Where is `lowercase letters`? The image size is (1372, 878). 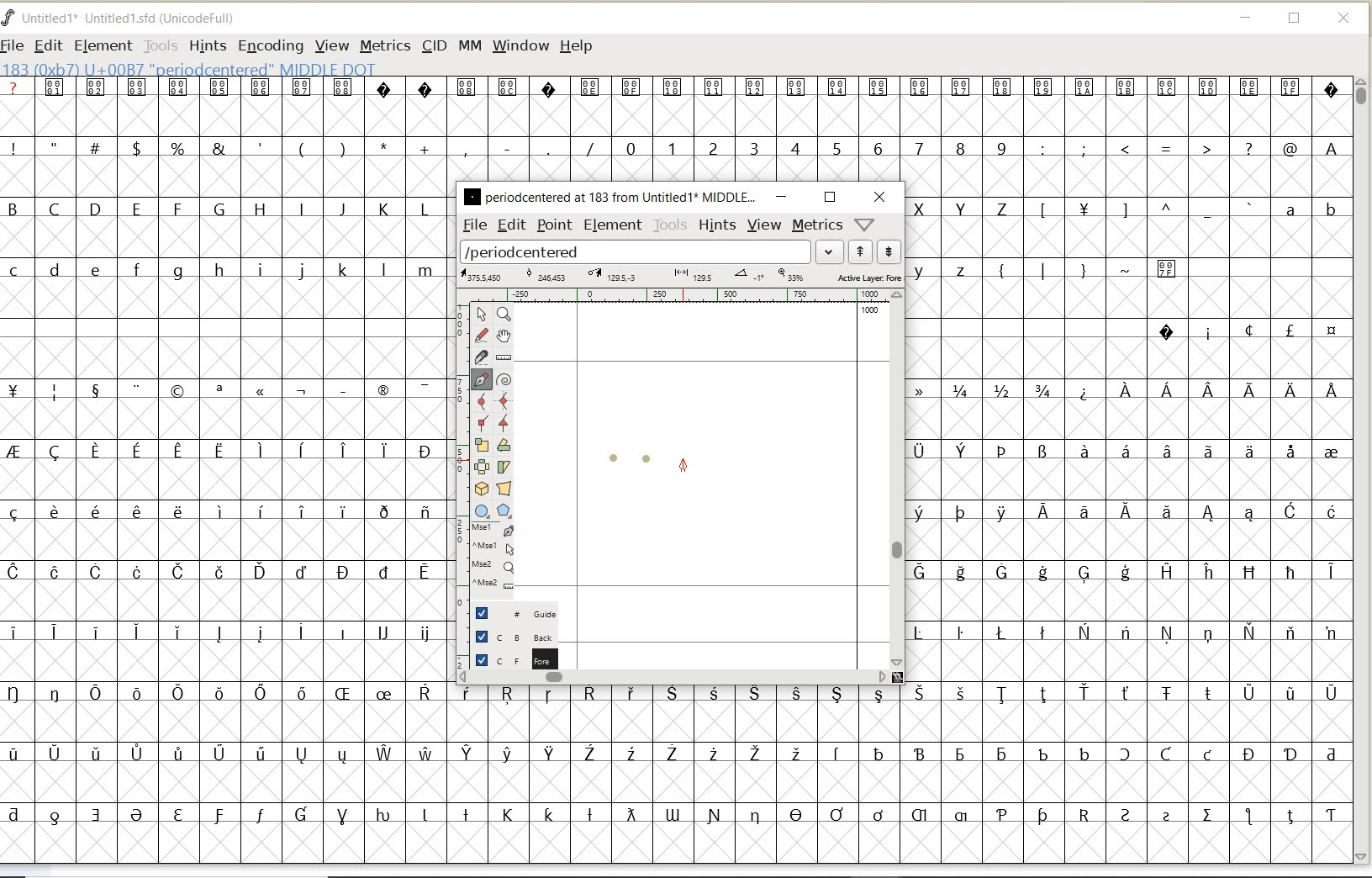 lowercase letters is located at coordinates (224, 271).